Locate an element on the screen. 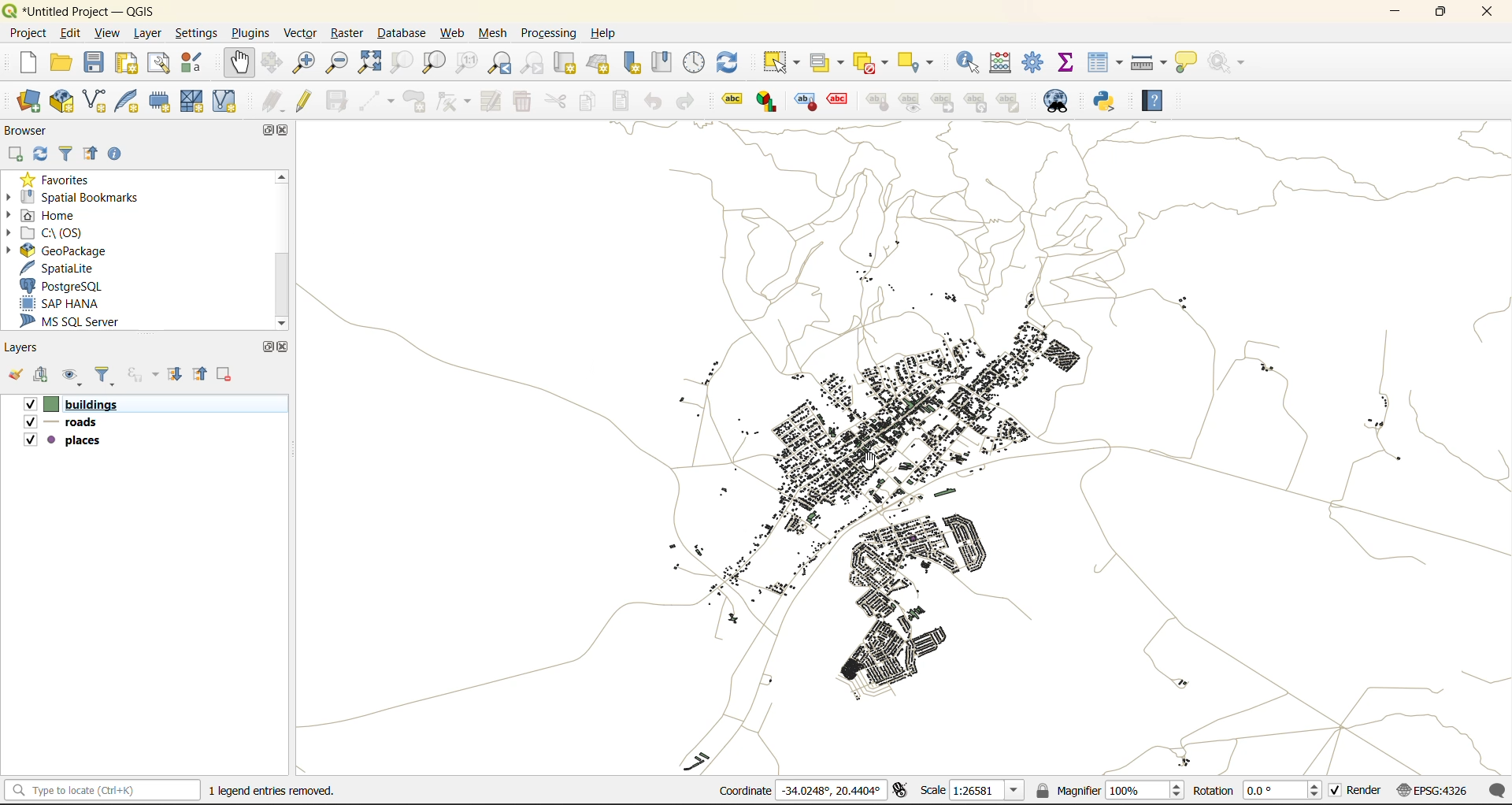  toolbox is located at coordinates (1035, 62).